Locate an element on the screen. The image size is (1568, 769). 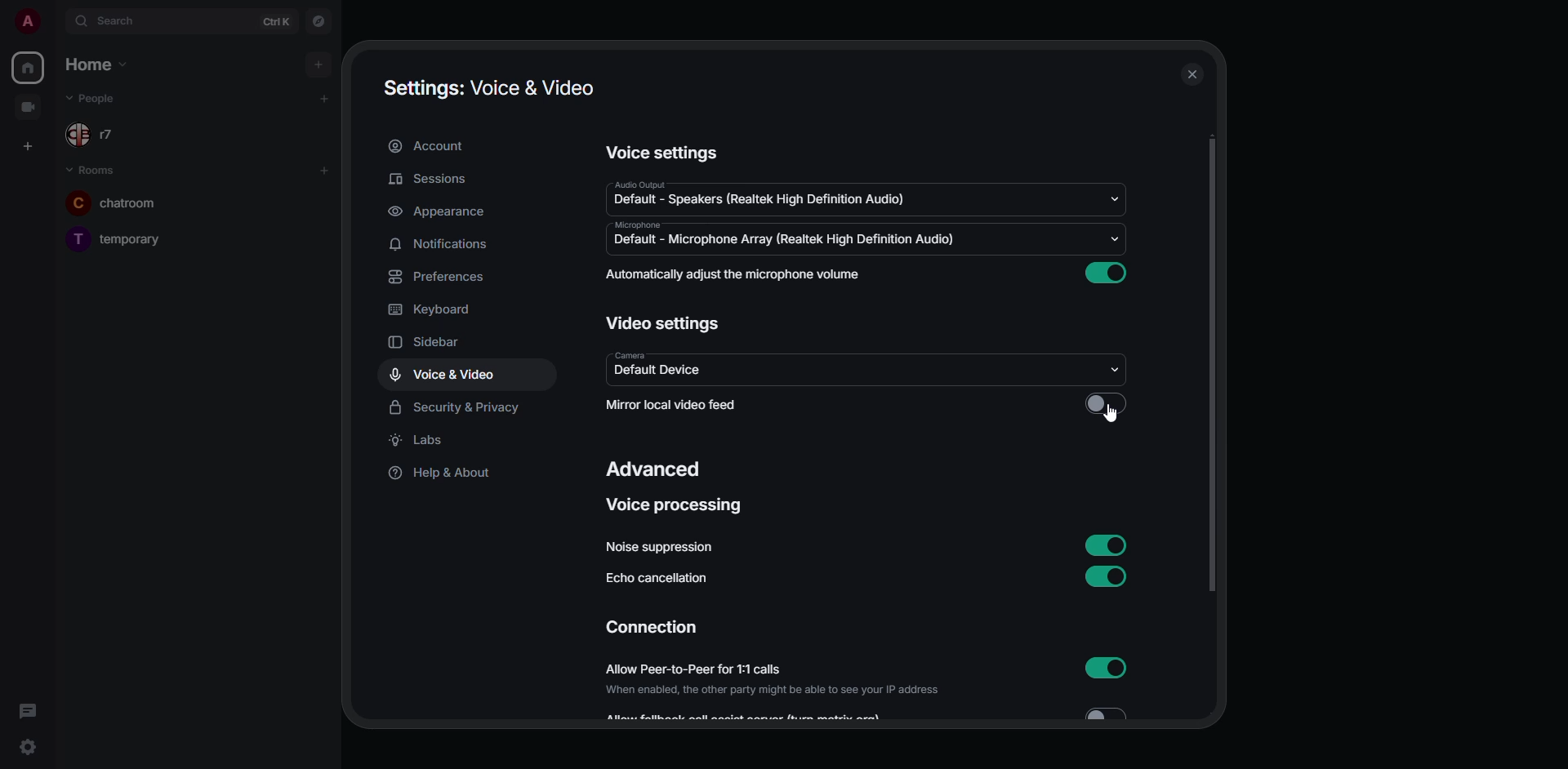
help & about is located at coordinates (443, 473).